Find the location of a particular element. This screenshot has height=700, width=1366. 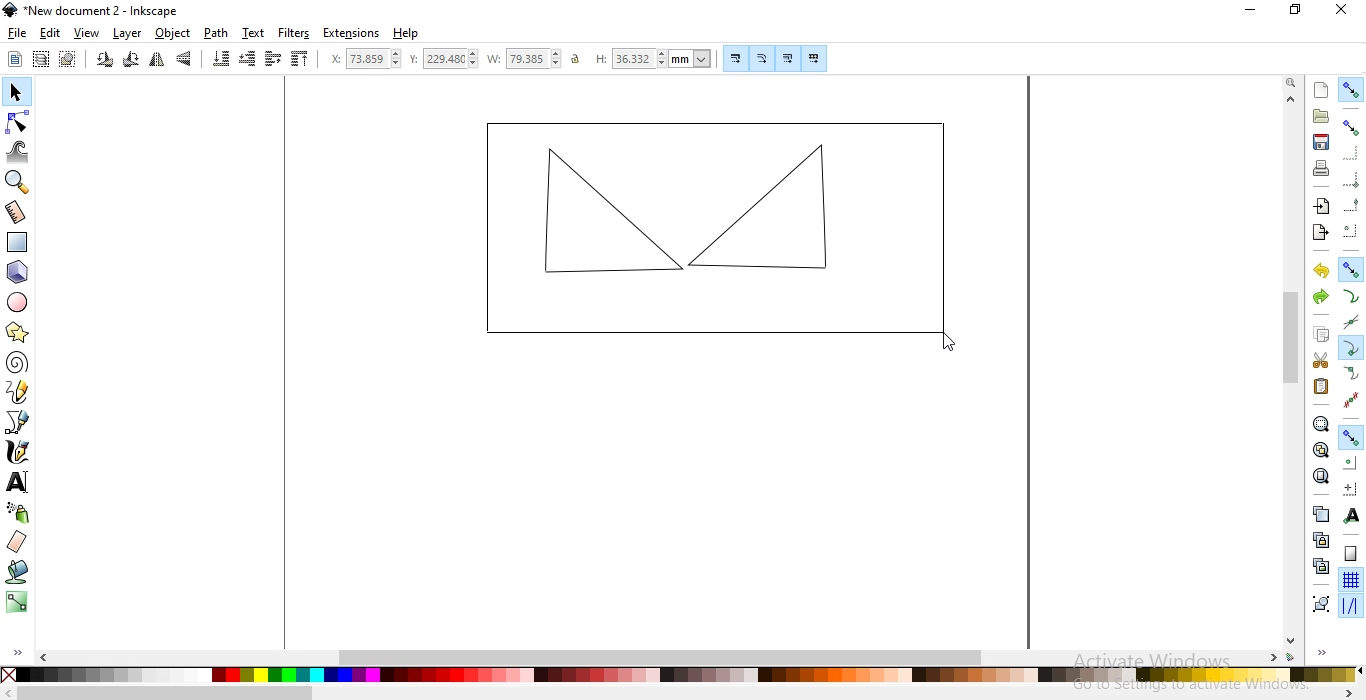

zoom to fit drawing in window is located at coordinates (1320, 448).